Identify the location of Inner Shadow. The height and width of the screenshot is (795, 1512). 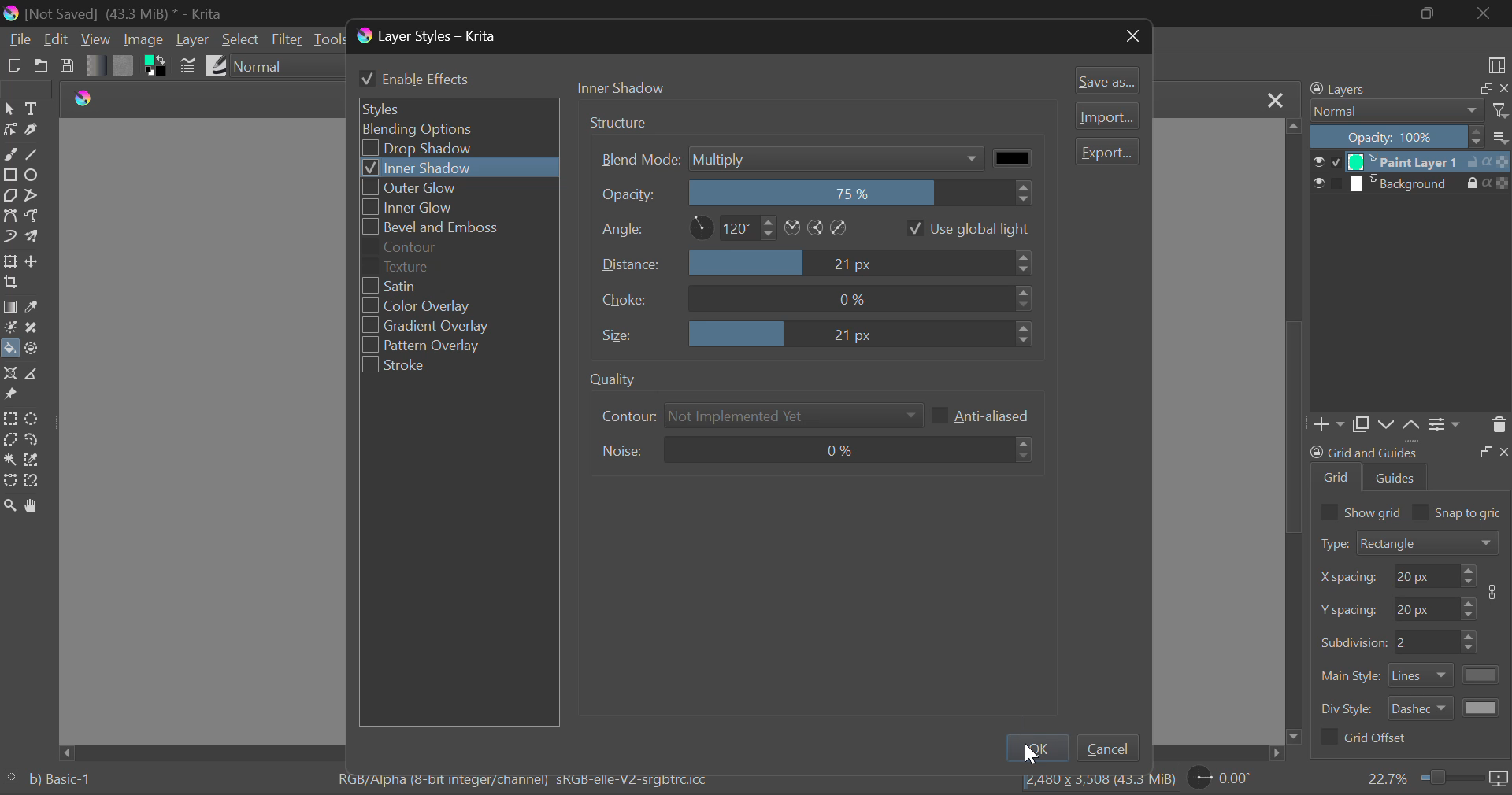
(458, 168).